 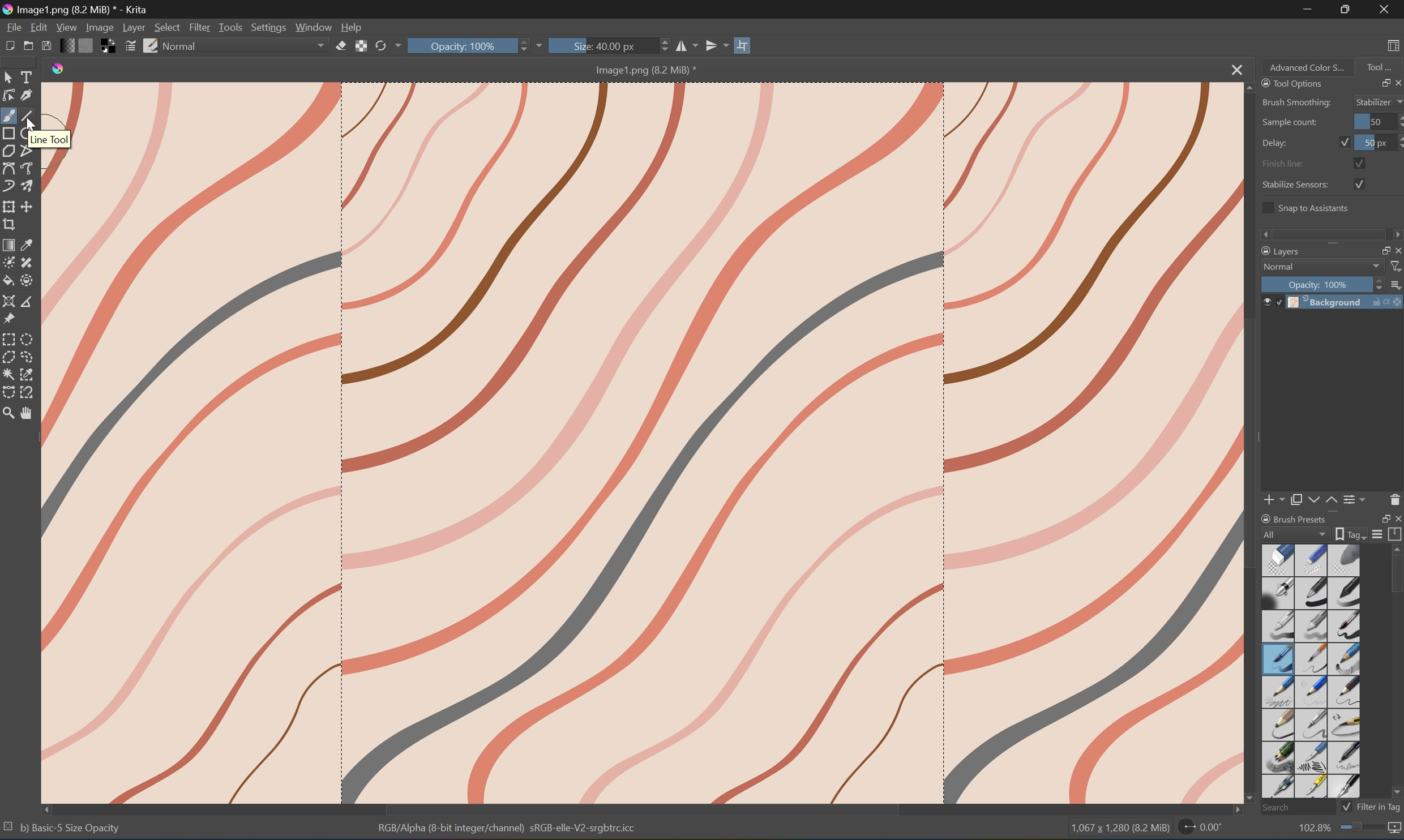 I want to click on Size: 40.00px, so click(x=602, y=46).